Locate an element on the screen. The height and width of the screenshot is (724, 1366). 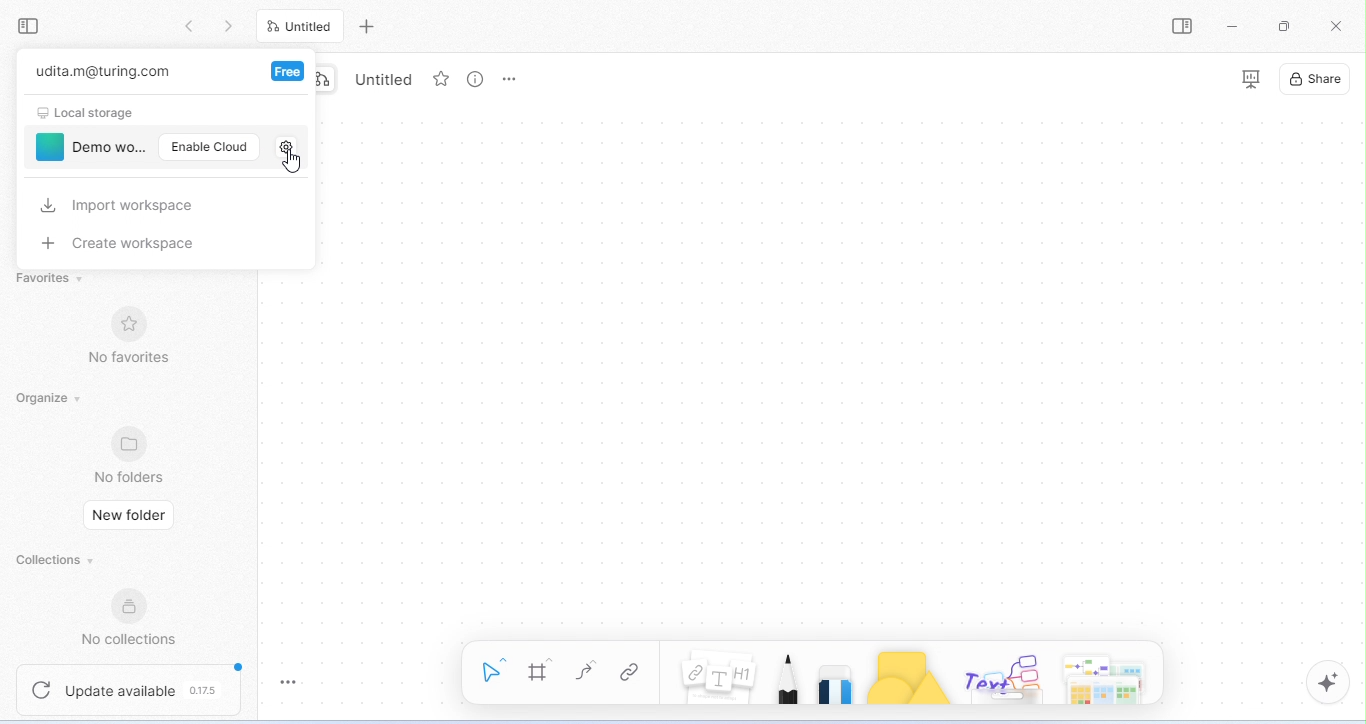
frame is located at coordinates (542, 671).